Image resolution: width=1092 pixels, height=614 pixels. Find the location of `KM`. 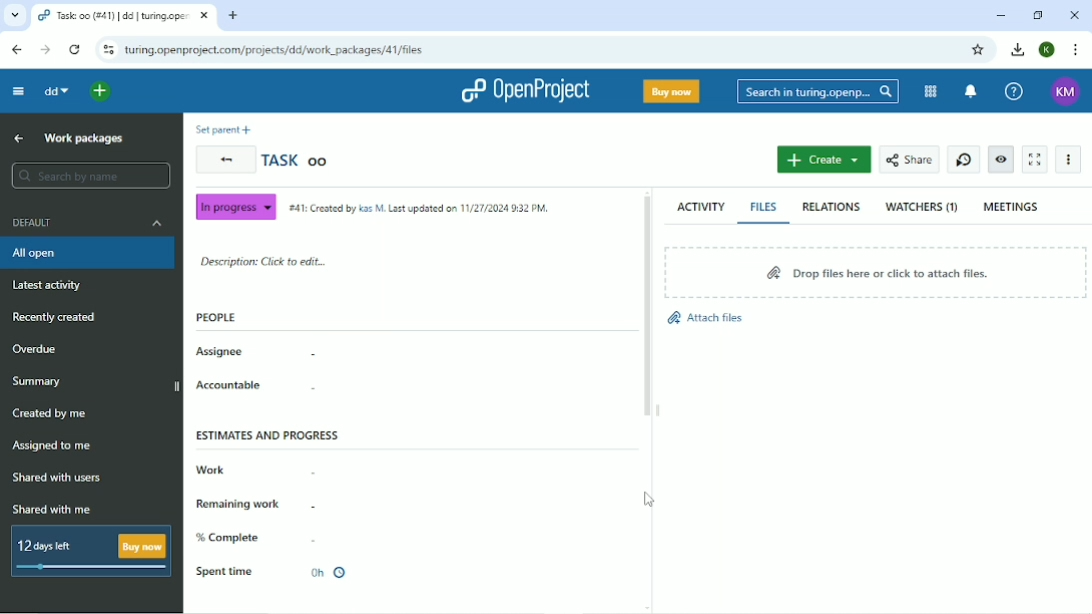

KM is located at coordinates (1063, 90).